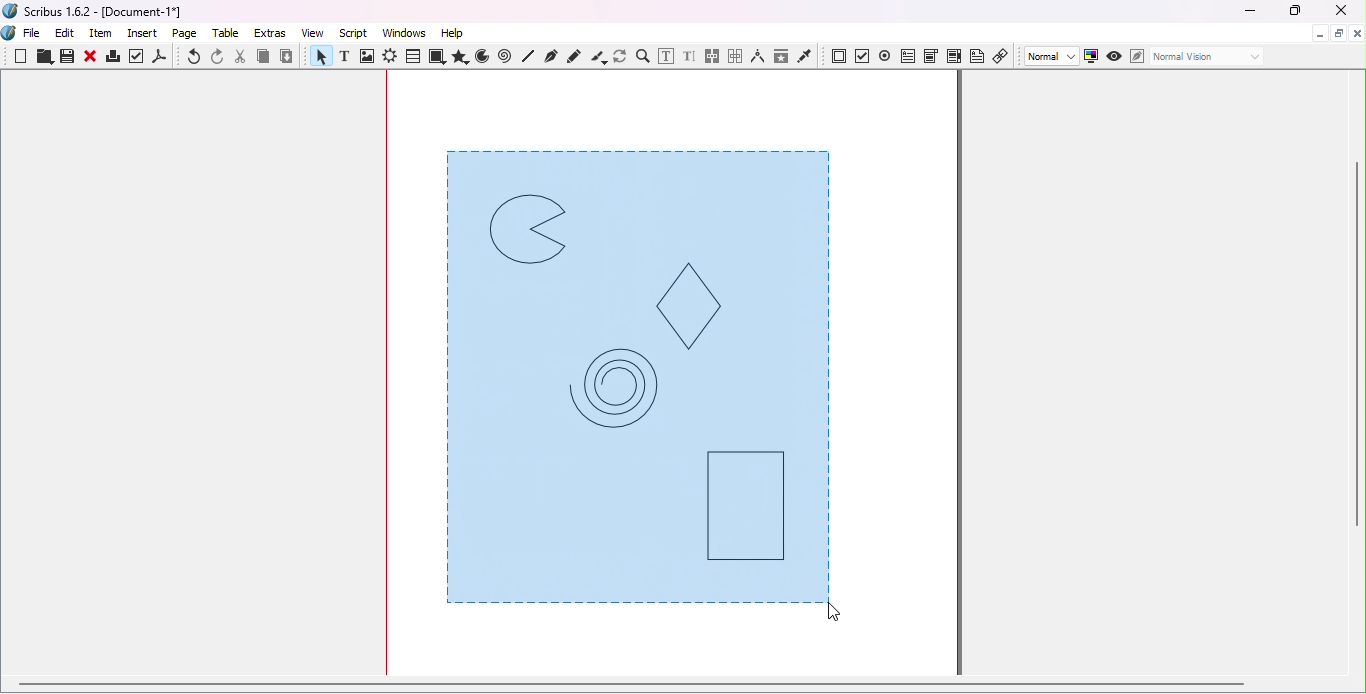  Describe the element at coordinates (90, 58) in the screenshot. I see `Close` at that location.